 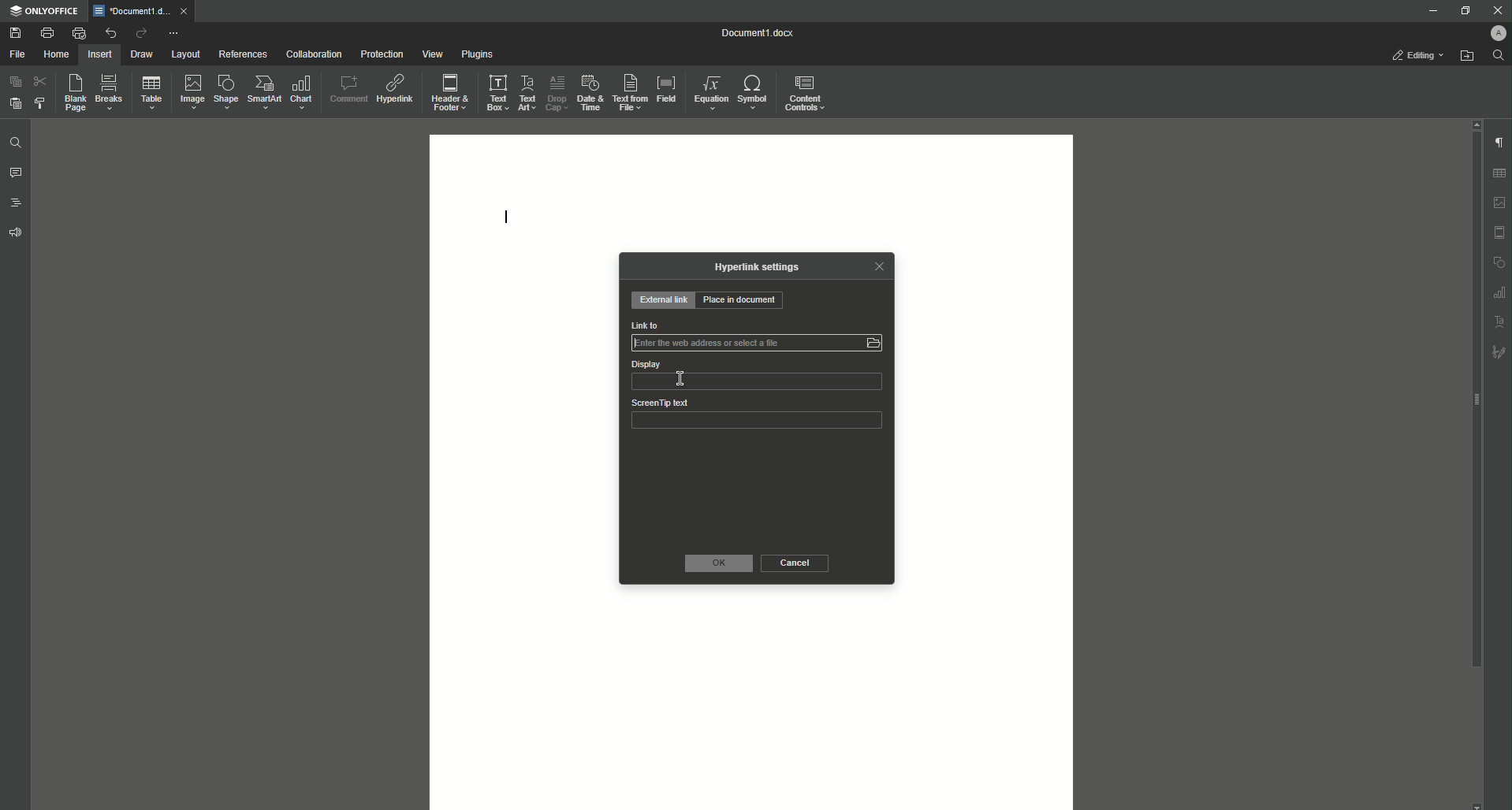 I want to click on Text From File, so click(x=630, y=91).